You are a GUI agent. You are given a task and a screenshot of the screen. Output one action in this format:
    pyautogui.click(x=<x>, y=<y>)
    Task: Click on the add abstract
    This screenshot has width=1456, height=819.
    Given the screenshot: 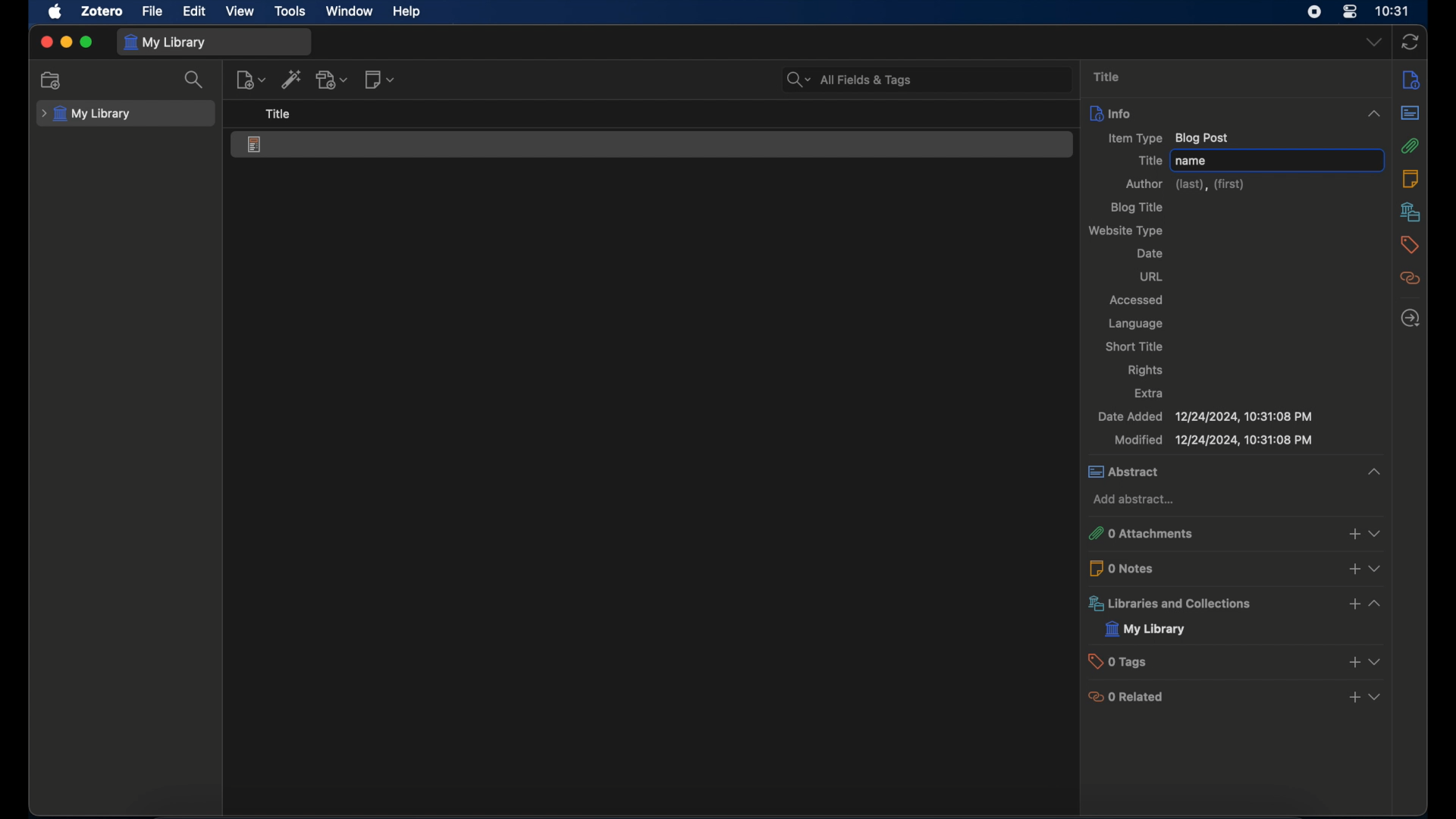 What is the action you would take?
    pyautogui.click(x=1134, y=501)
    